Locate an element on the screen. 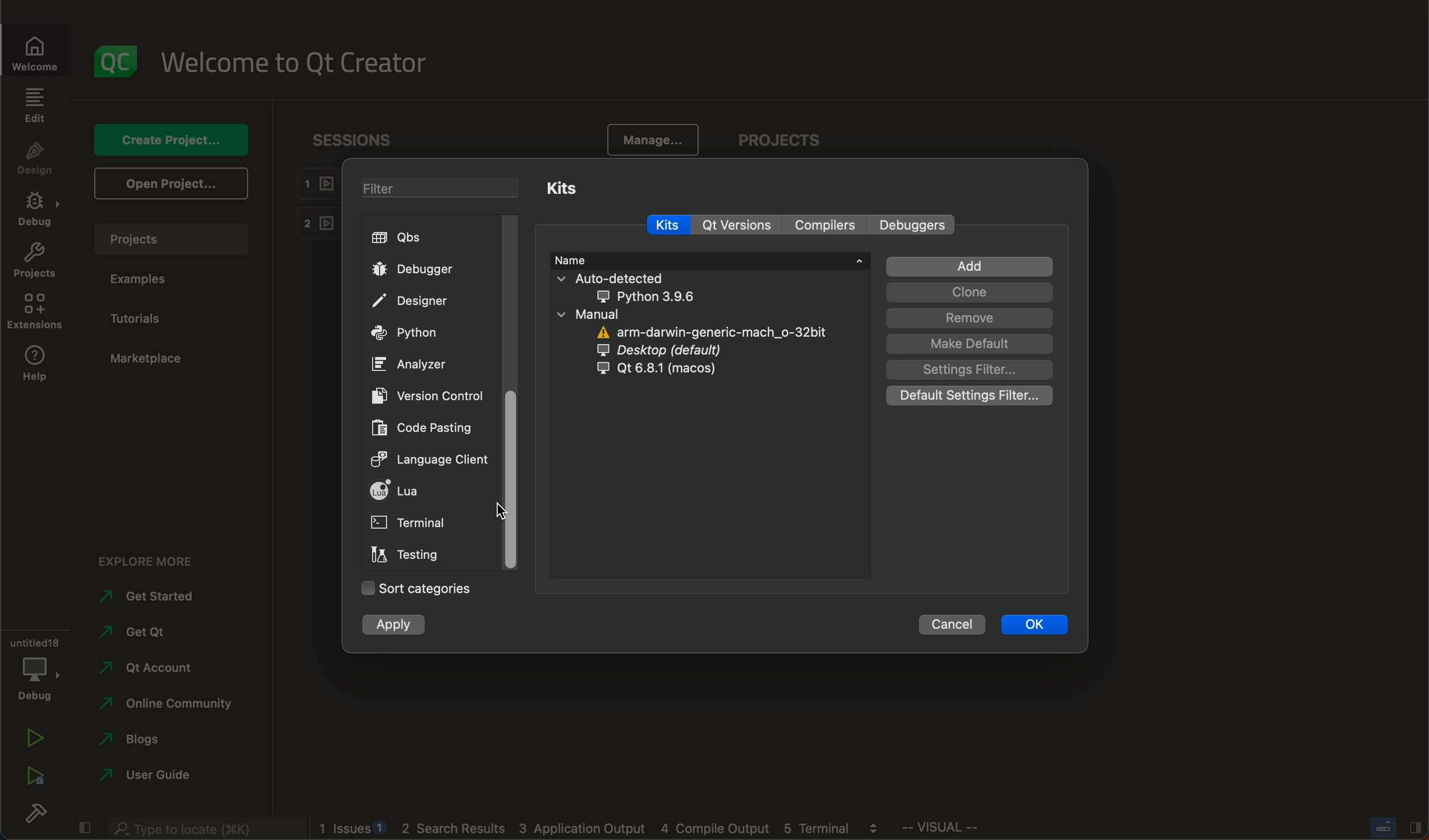  make is located at coordinates (971, 344).